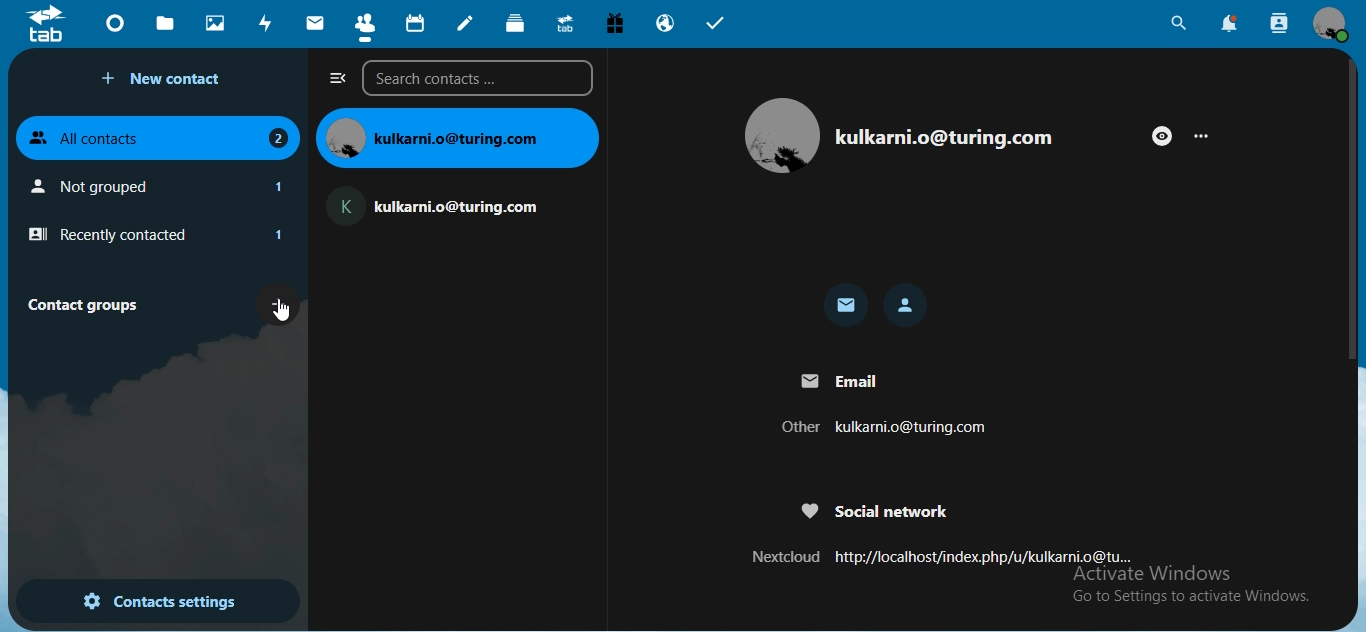 The image size is (1366, 632). Describe the element at coordinates (338, 78) in the screenshot. I see `close navigation` at that location.